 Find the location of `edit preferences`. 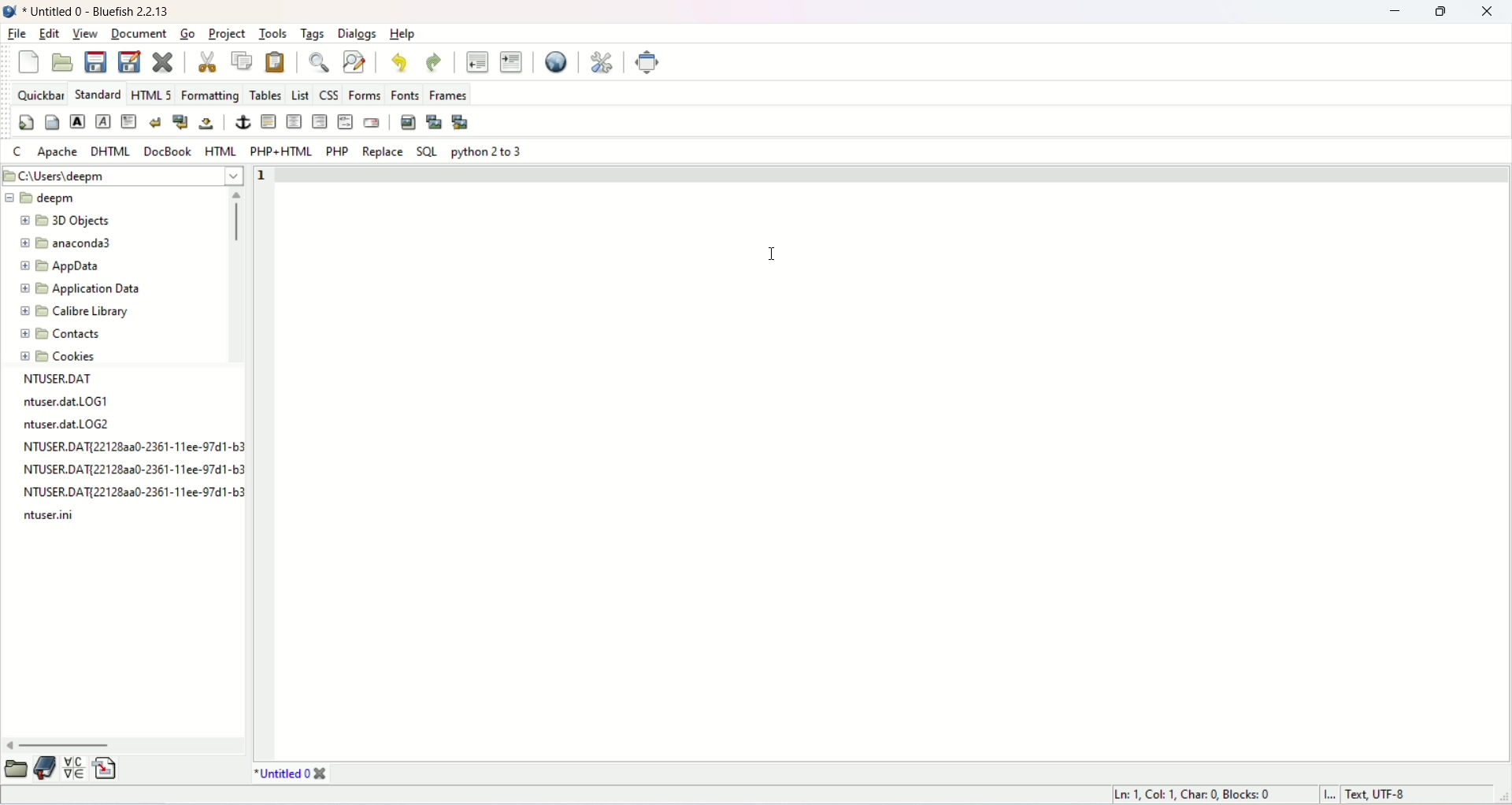

edit preferences is located at coordinates (601, 64).